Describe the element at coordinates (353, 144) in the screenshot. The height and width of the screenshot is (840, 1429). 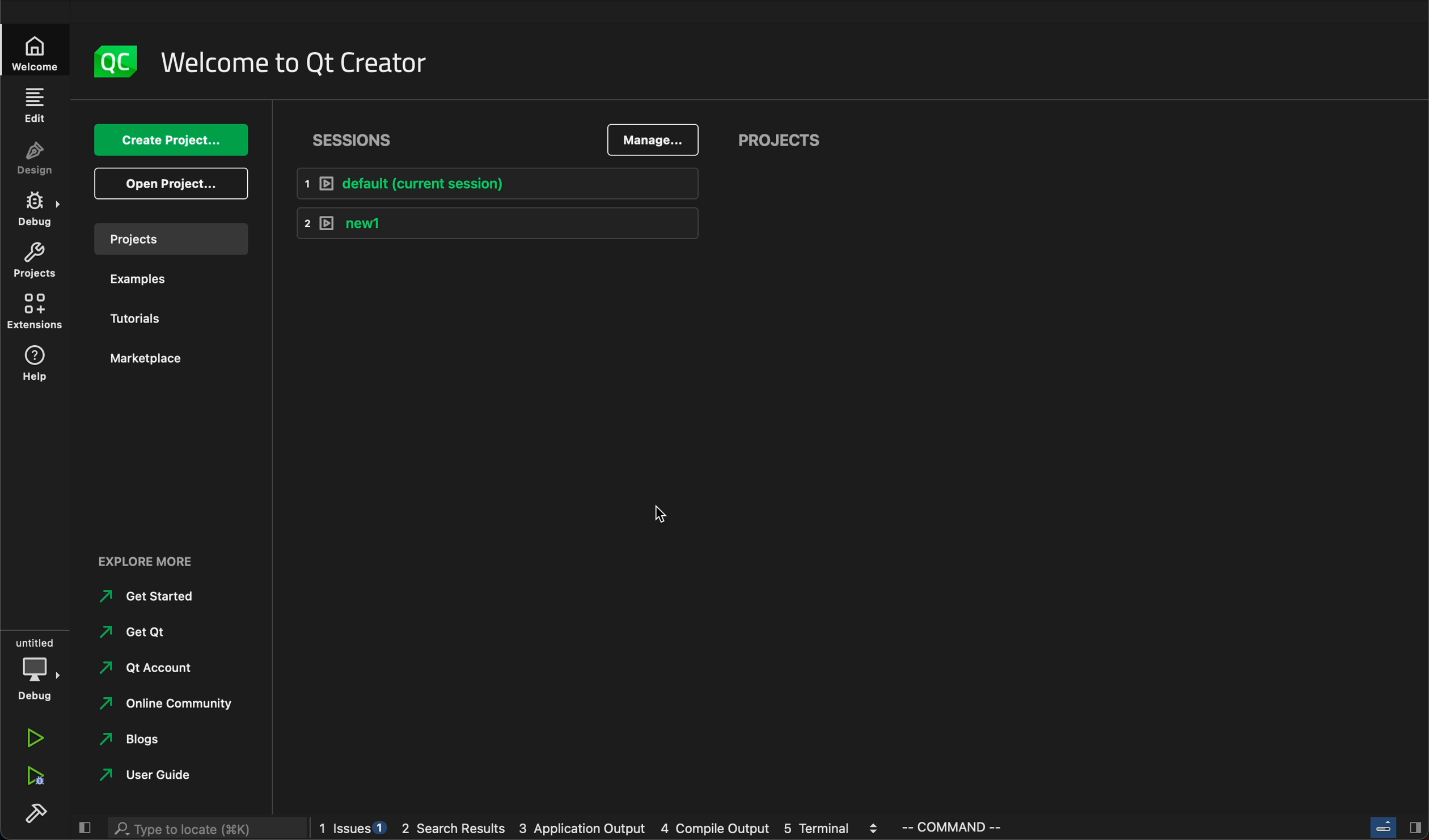
I see `sessions` at that location.